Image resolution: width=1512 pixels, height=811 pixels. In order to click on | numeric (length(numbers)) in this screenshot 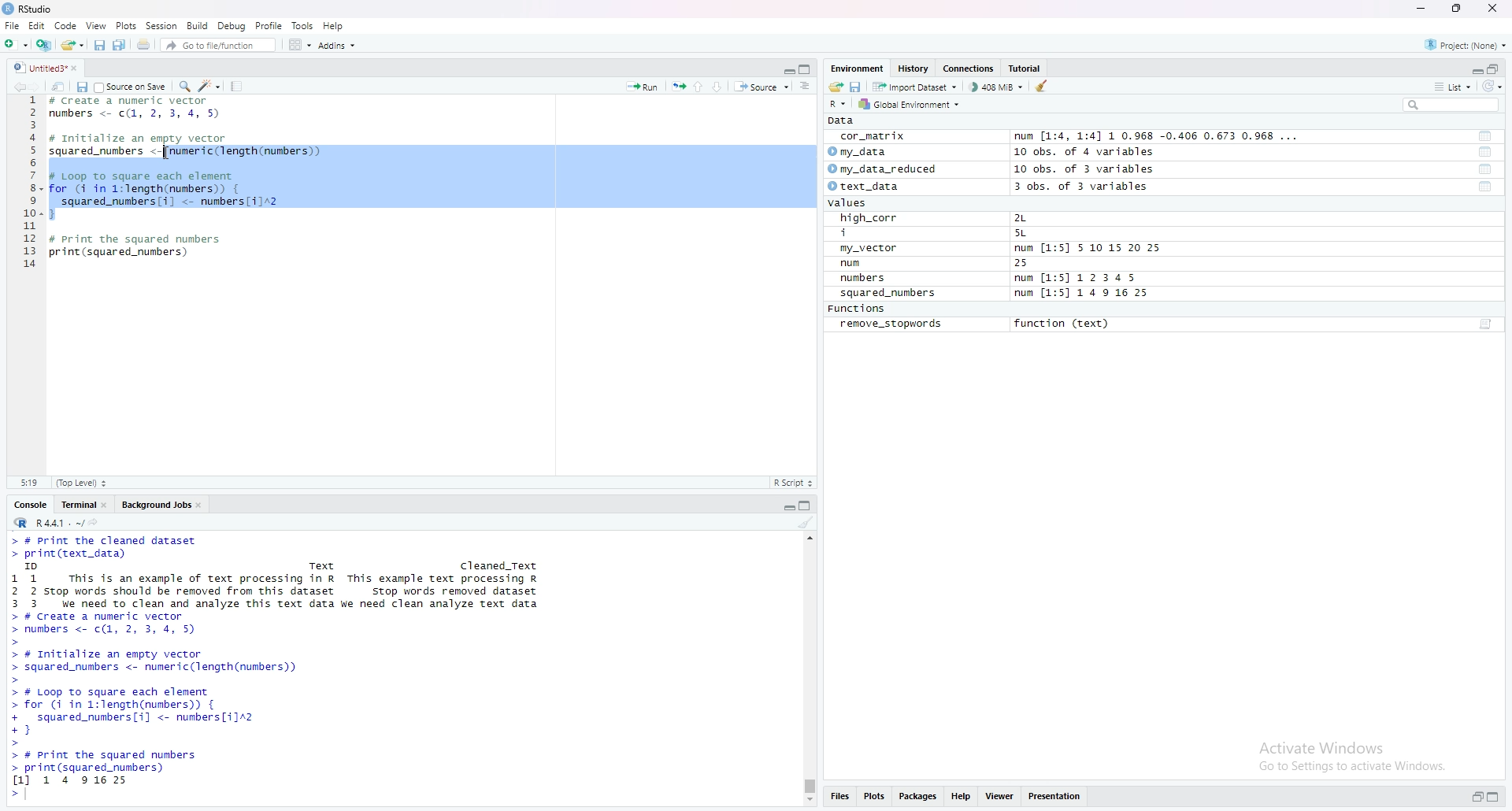, I will do `click(247, 152)`.